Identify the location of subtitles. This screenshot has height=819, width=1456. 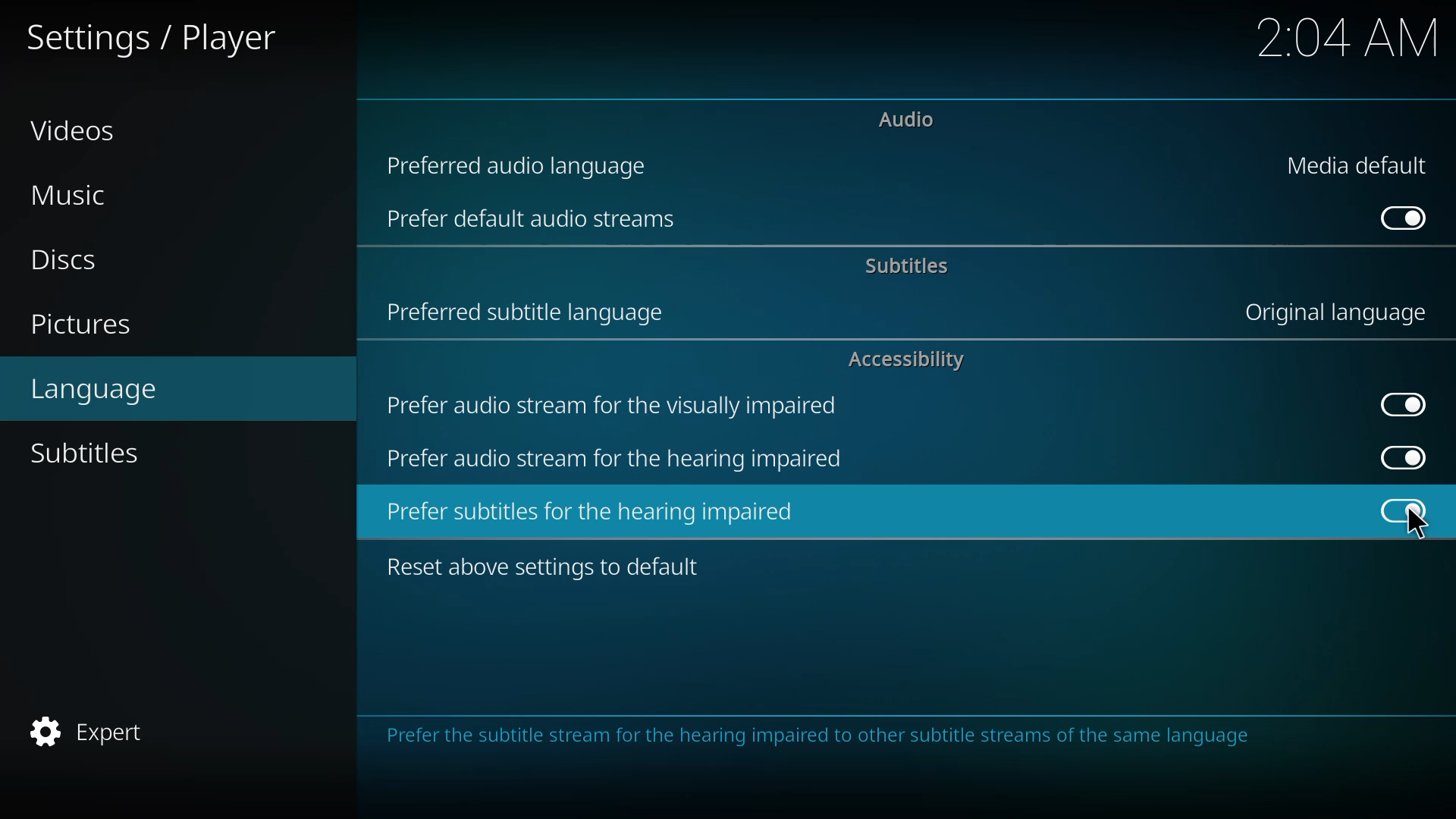
(911, 263).